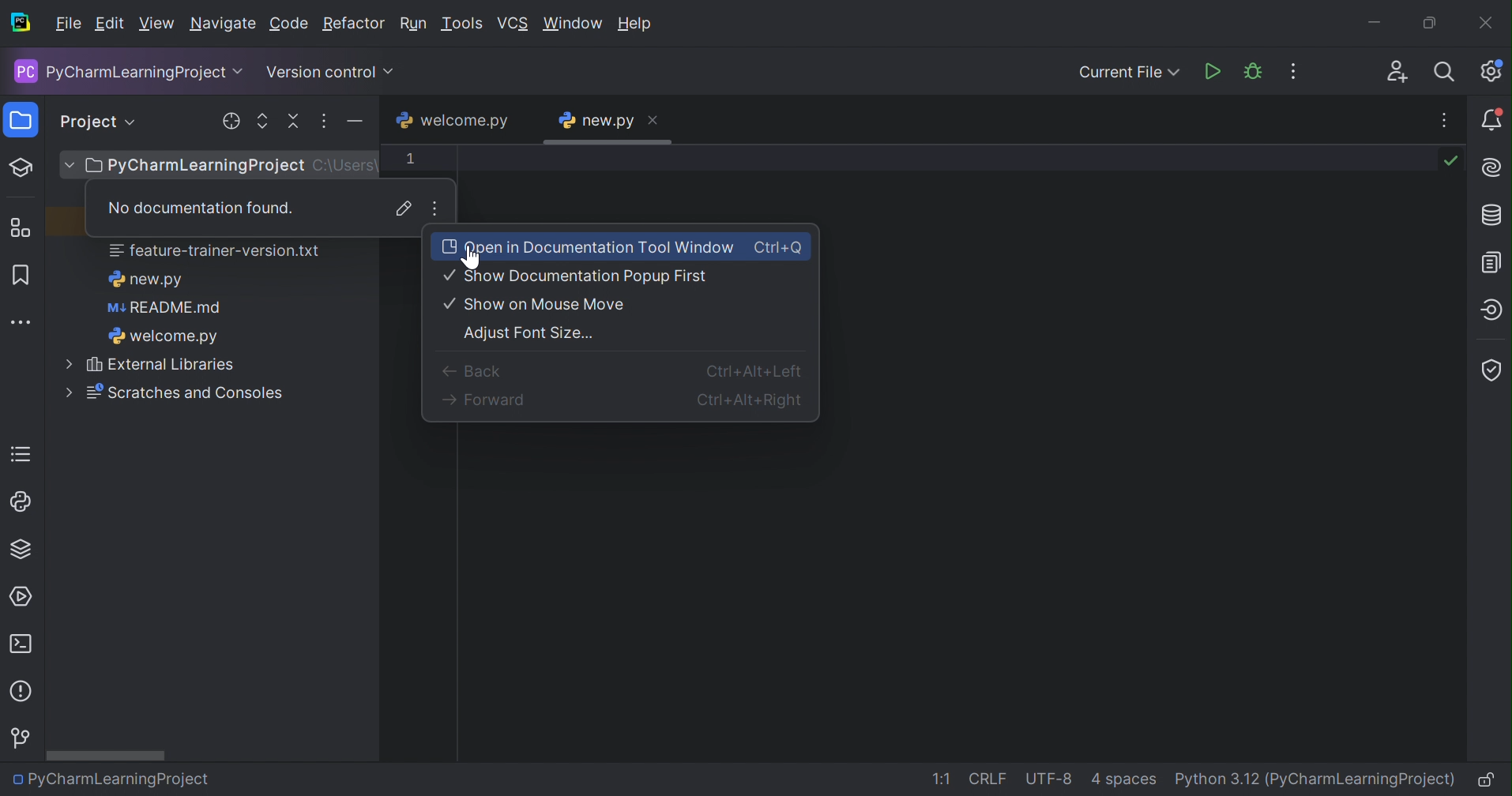 The width and height of the screenshot is (1512, 796). I want to click on Drop down, so click(391, 72).